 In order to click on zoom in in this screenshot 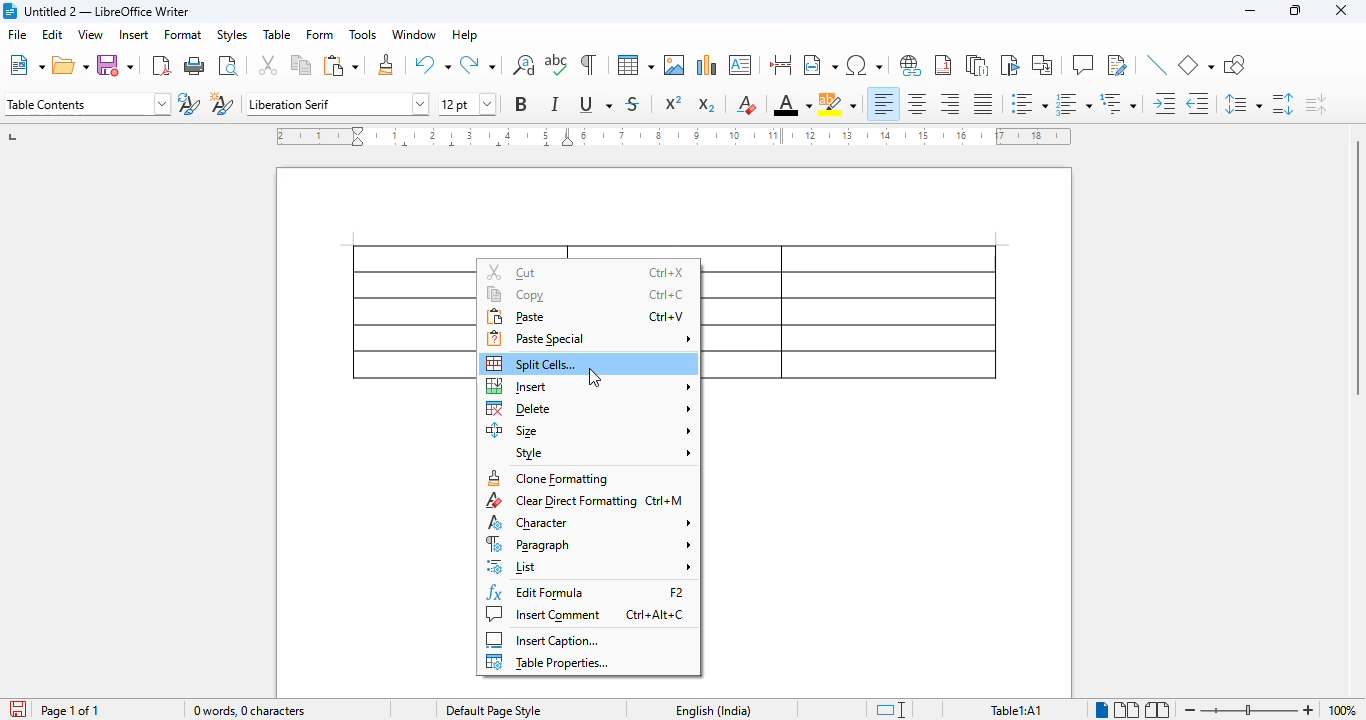, I will do `click(1307, 710)`.